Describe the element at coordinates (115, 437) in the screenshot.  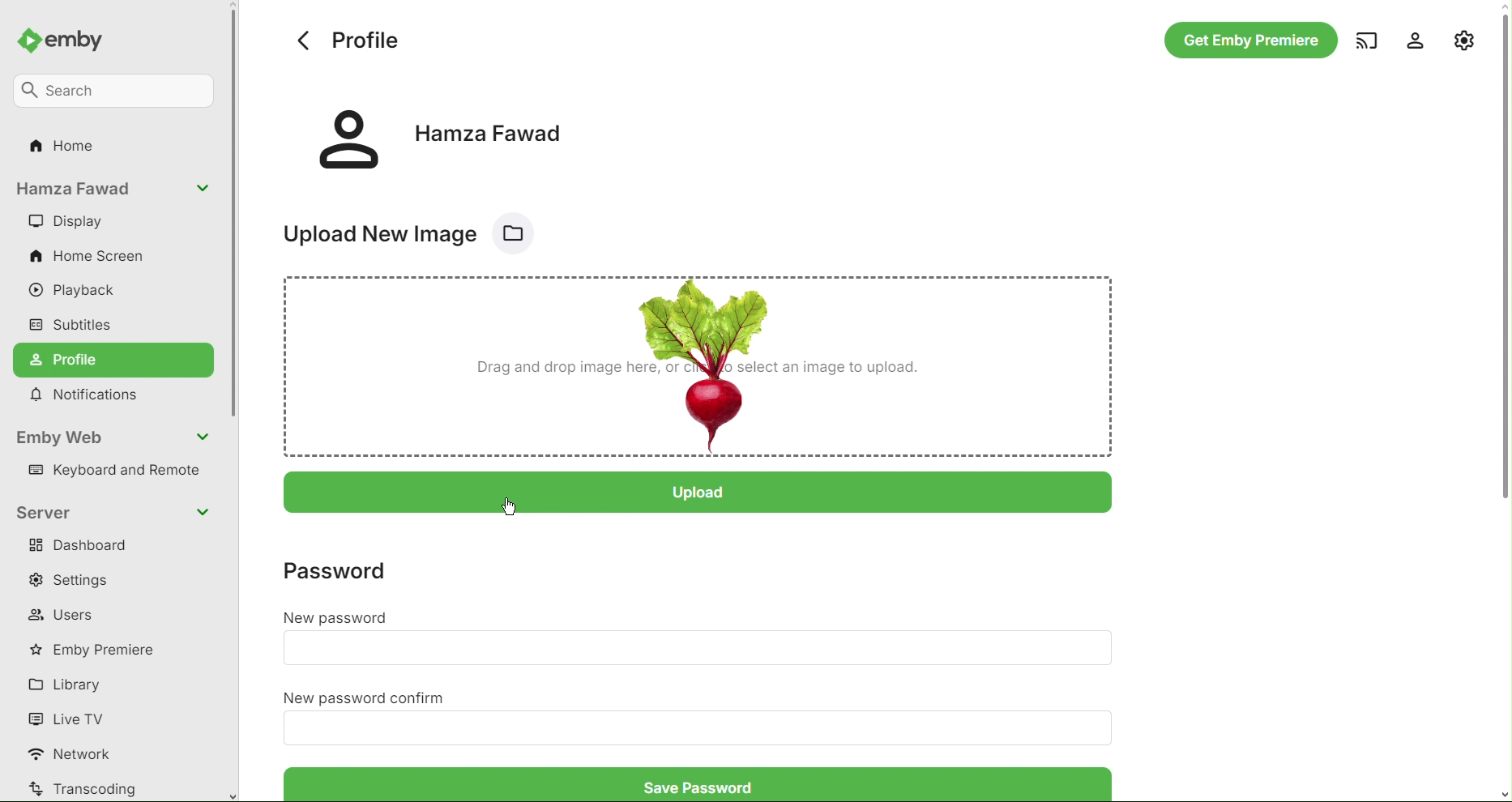
I see `Emby Web` at that location.